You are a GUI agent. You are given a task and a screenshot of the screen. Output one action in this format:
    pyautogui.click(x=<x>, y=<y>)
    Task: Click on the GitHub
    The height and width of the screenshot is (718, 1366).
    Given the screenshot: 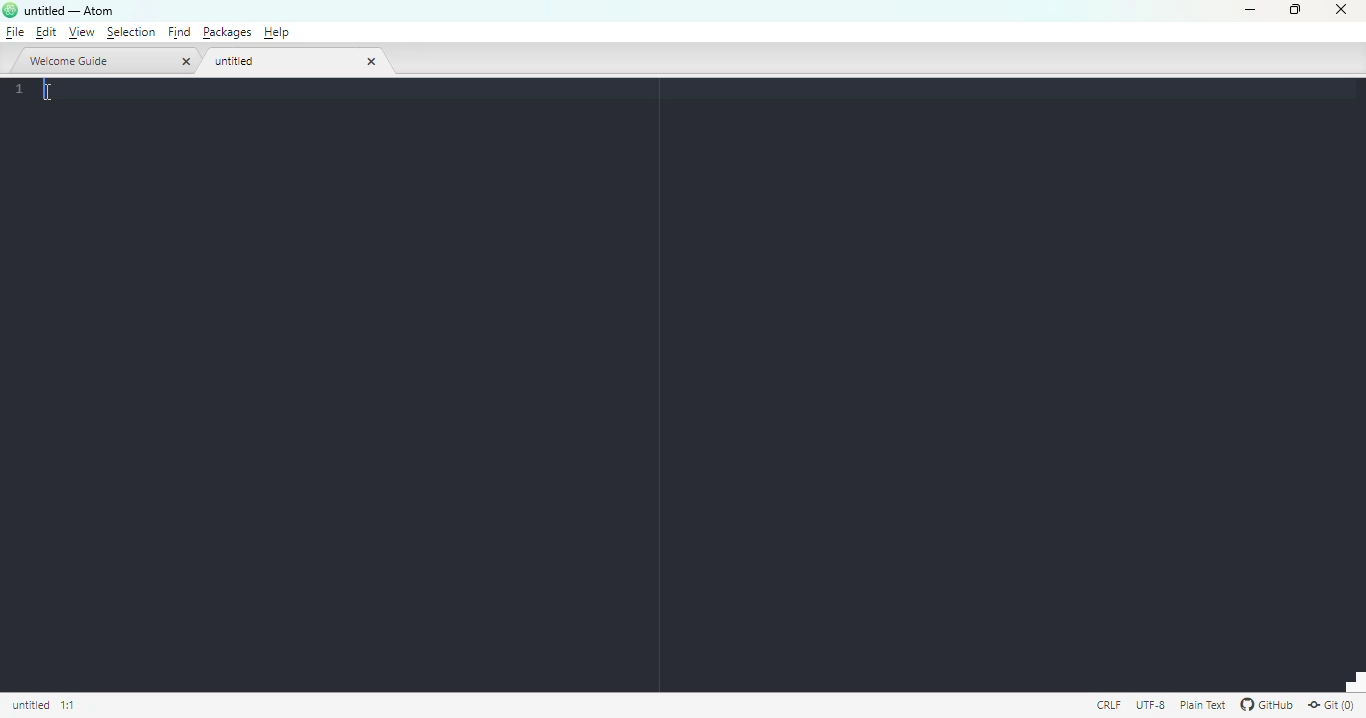 What is the action you would take?
    pyautogui.click(x=1266, y=705)
    